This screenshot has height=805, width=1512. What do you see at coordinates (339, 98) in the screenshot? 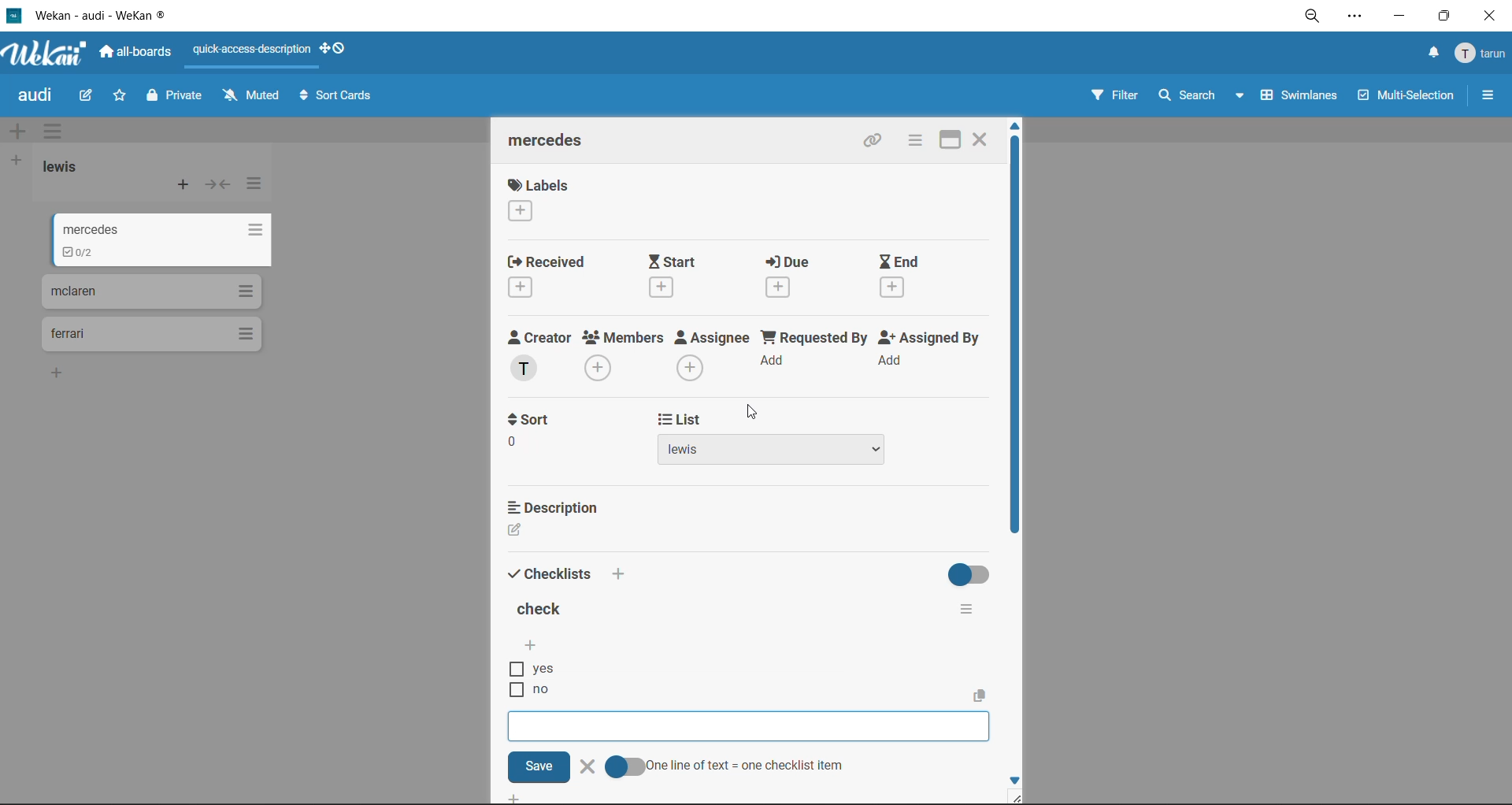
I see `sort cards` at bounding box center [339, 98].